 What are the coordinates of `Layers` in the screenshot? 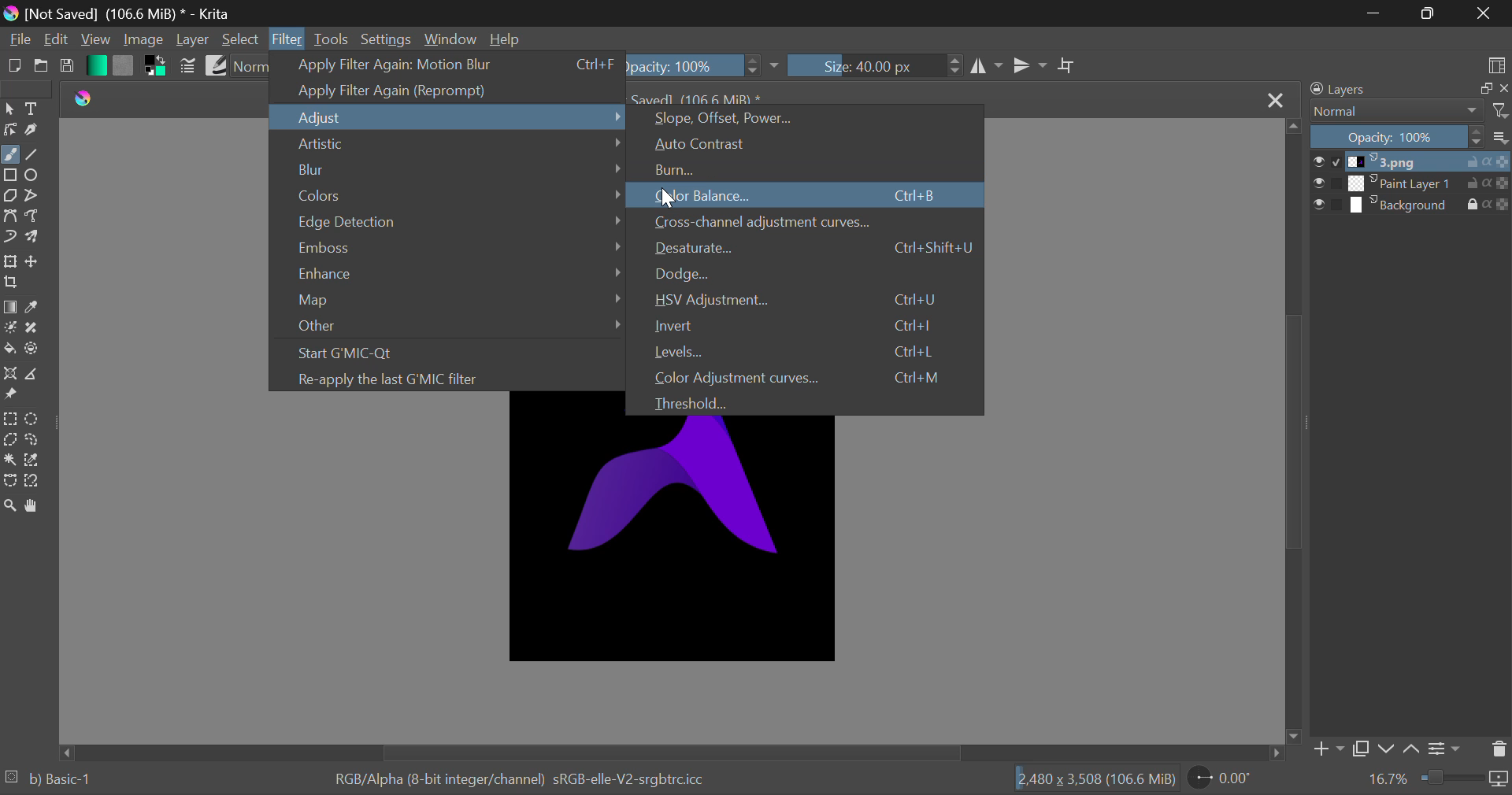 It's located at (1377, 89).